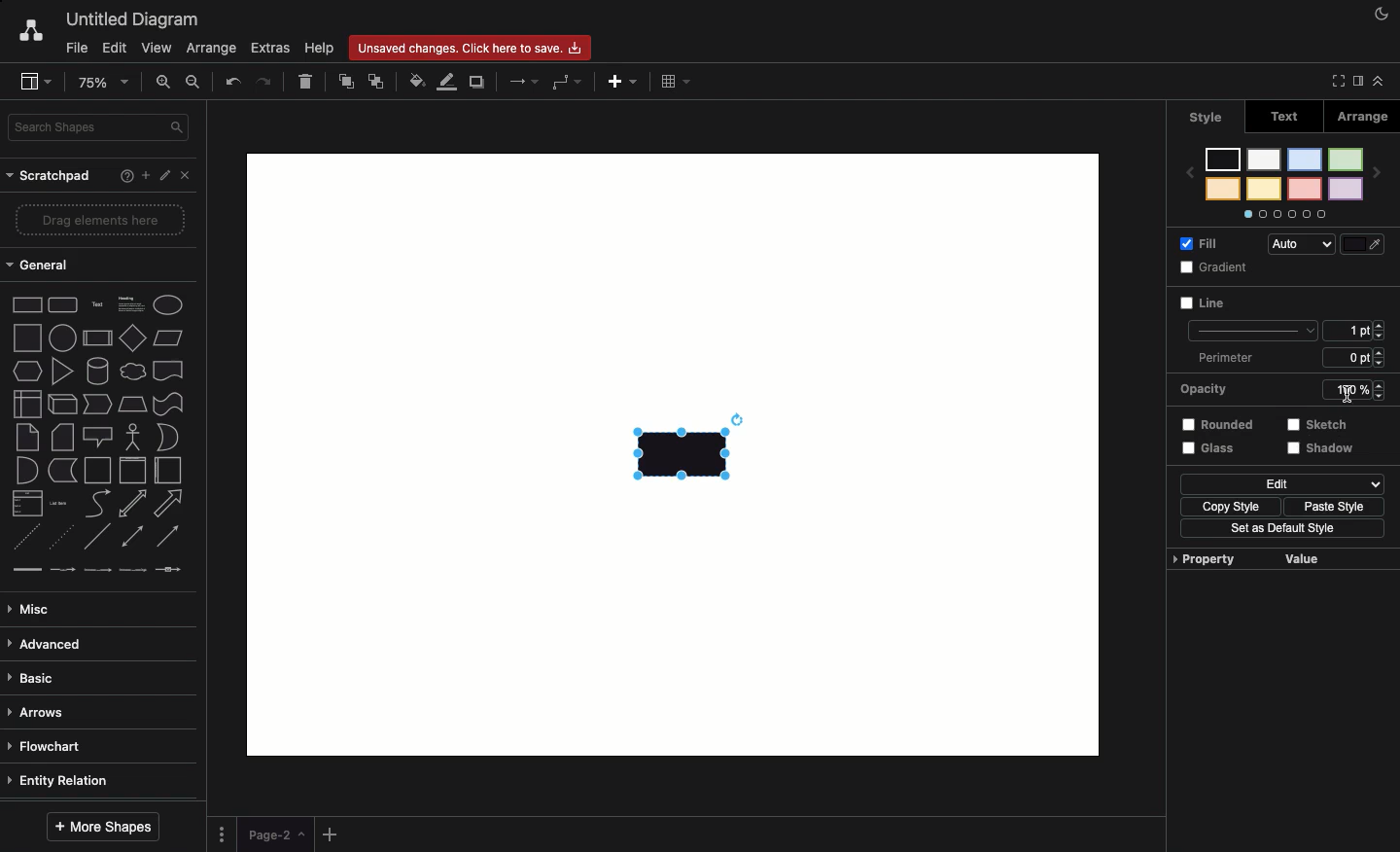  What do you see at coordinates (61, 538) in the screenshot?
I see `dotted line` at bounding box center [61, 538].